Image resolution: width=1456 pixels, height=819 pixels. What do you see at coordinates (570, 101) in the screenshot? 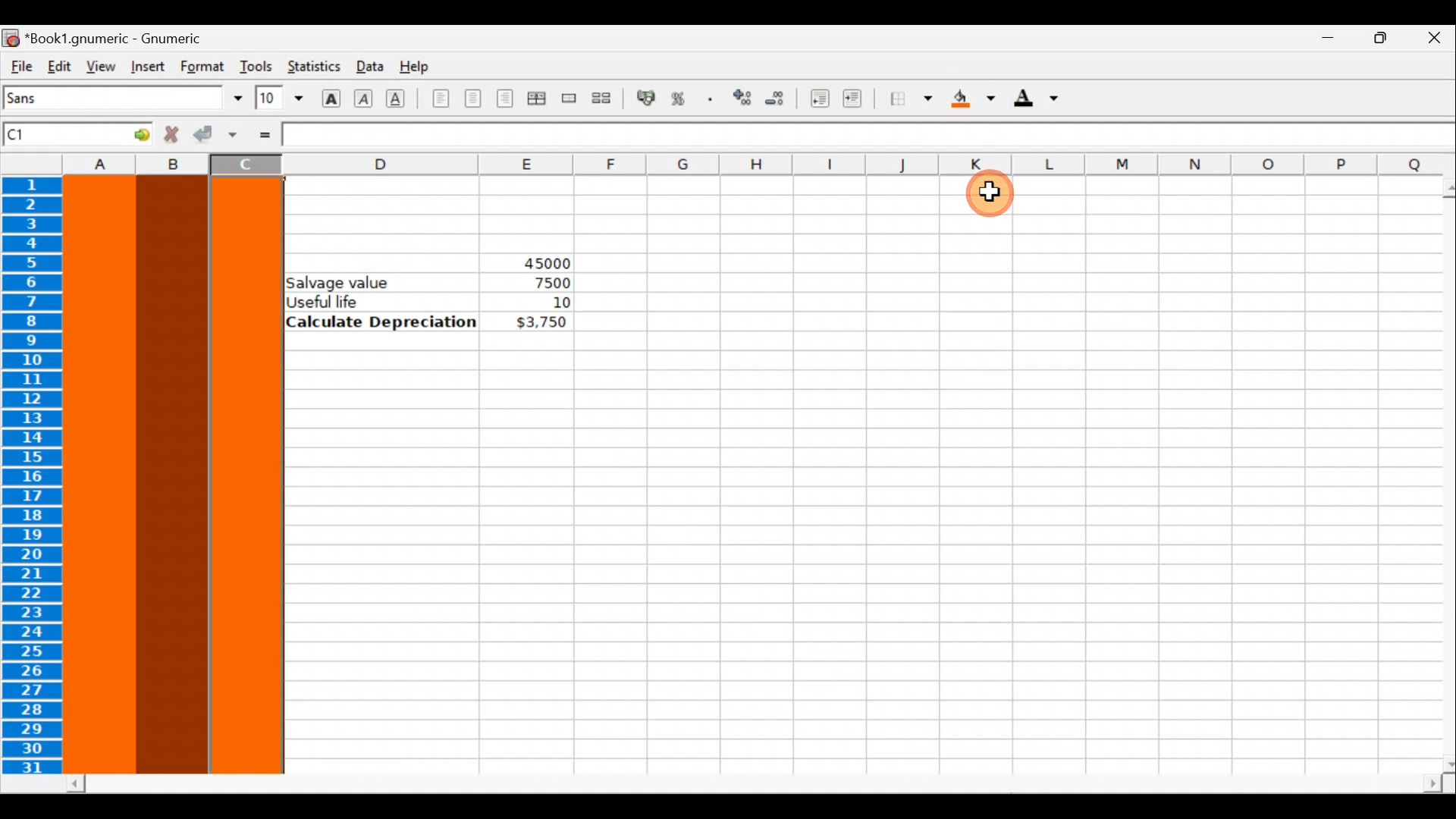
I see `Merge a range of cells` at bounding box center [570, 101].